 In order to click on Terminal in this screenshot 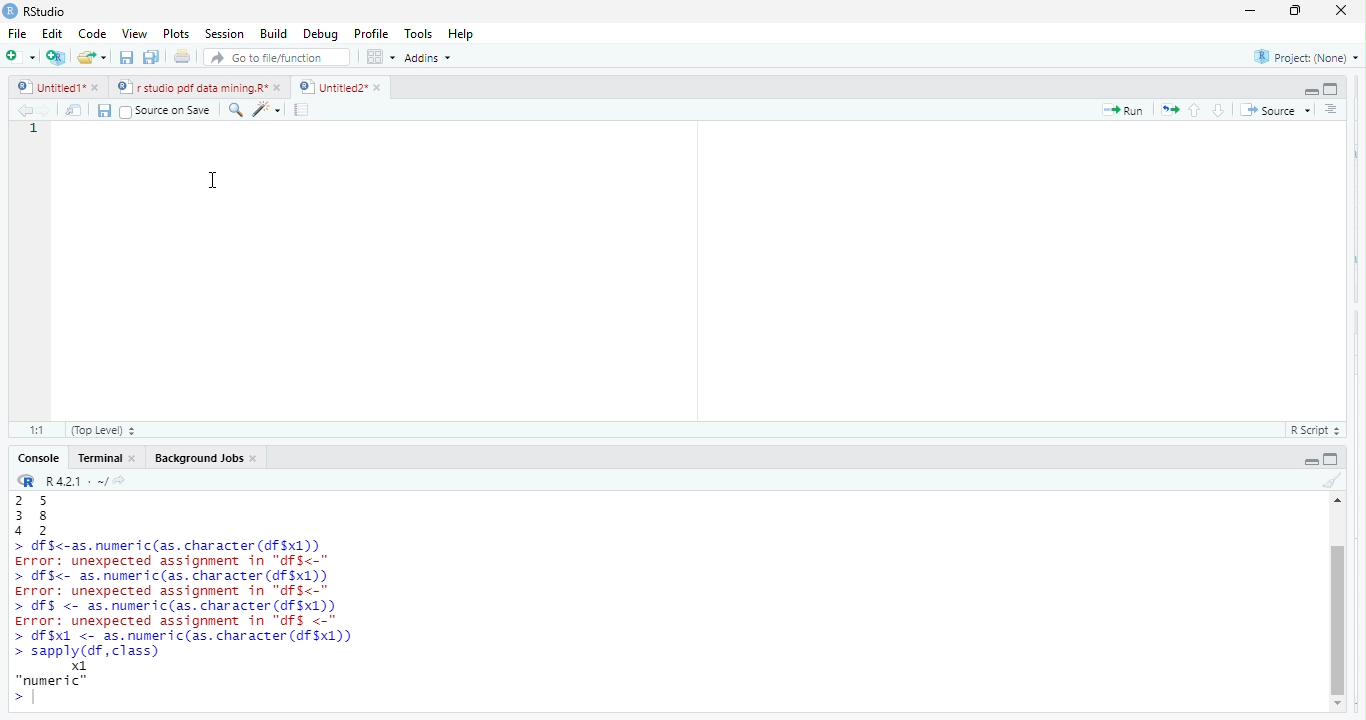, I will do `click(100, 458)`.